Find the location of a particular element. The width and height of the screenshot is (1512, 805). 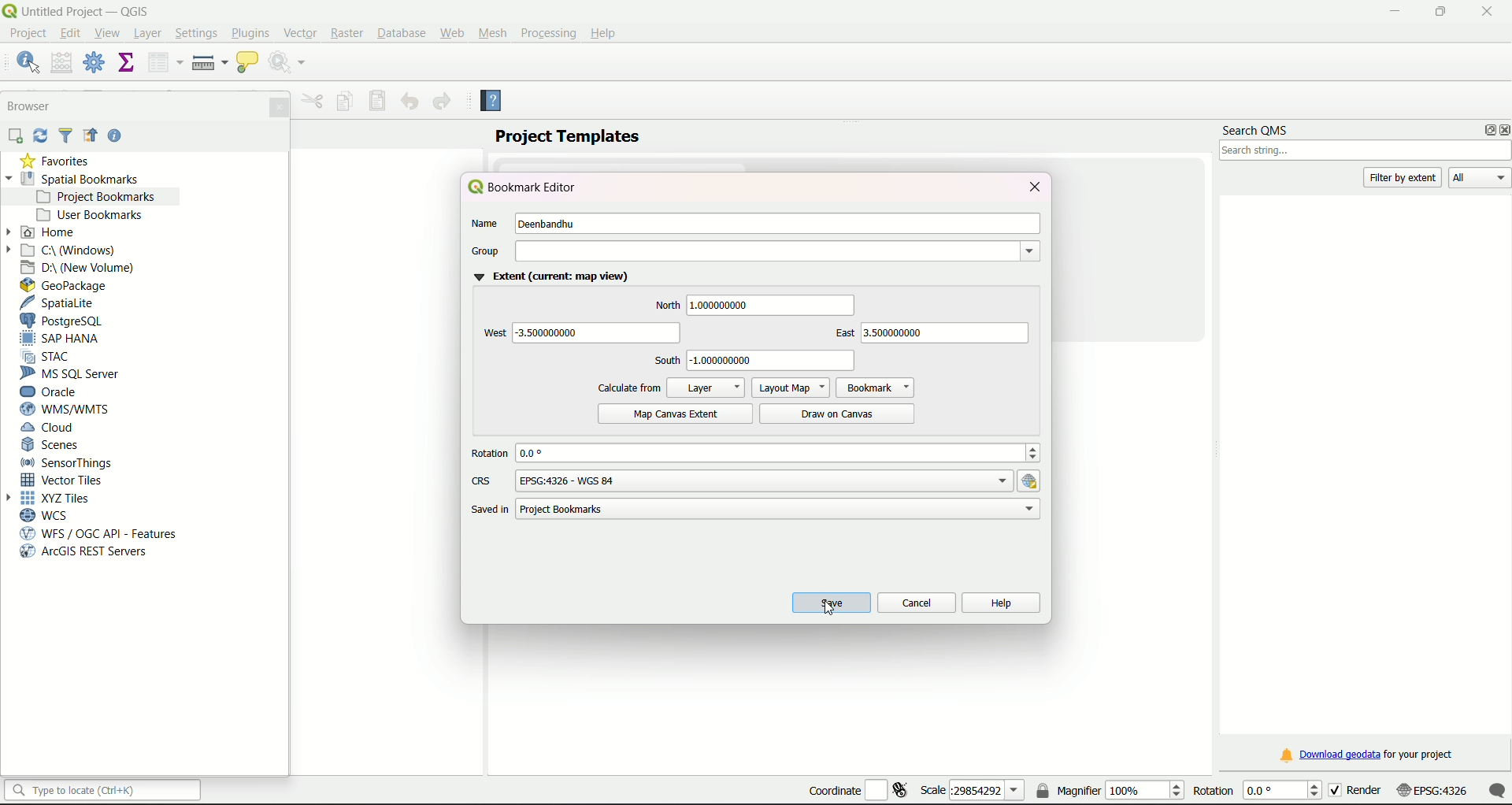

Browser is located at coordinates (31, 106).